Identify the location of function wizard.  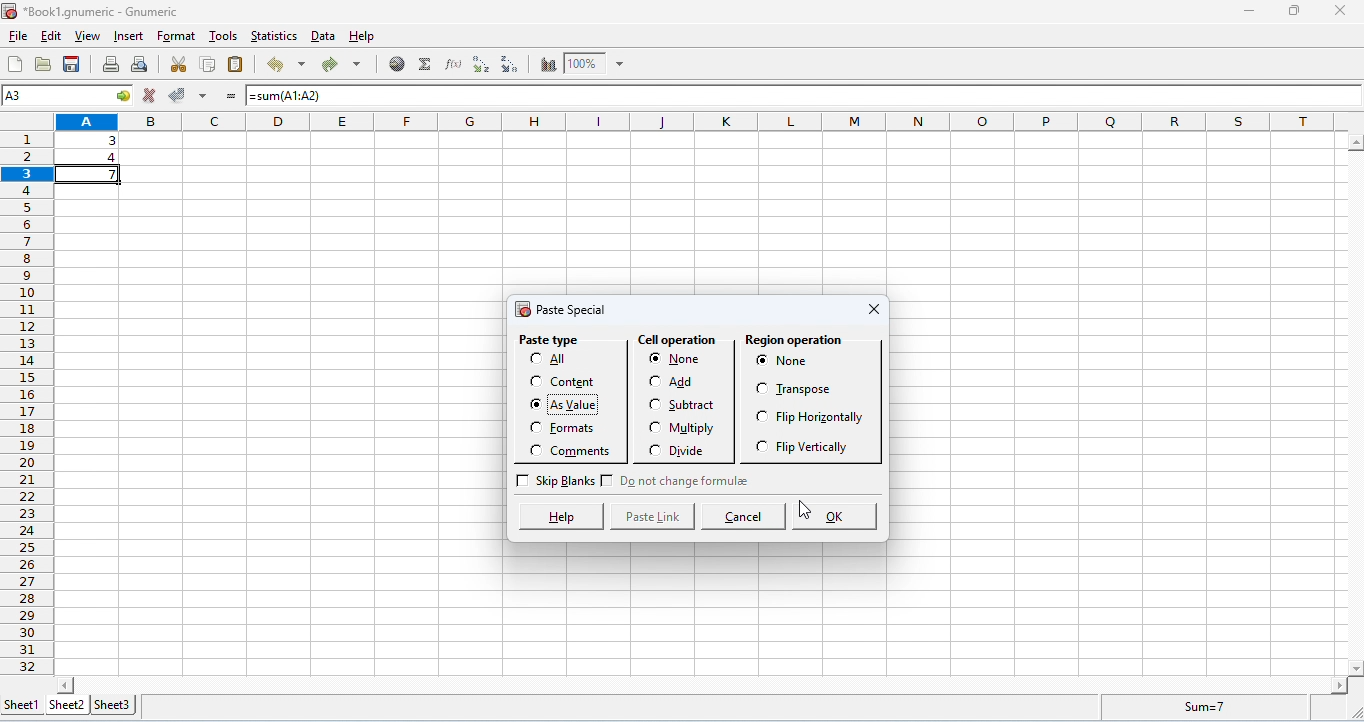
(452, 64).